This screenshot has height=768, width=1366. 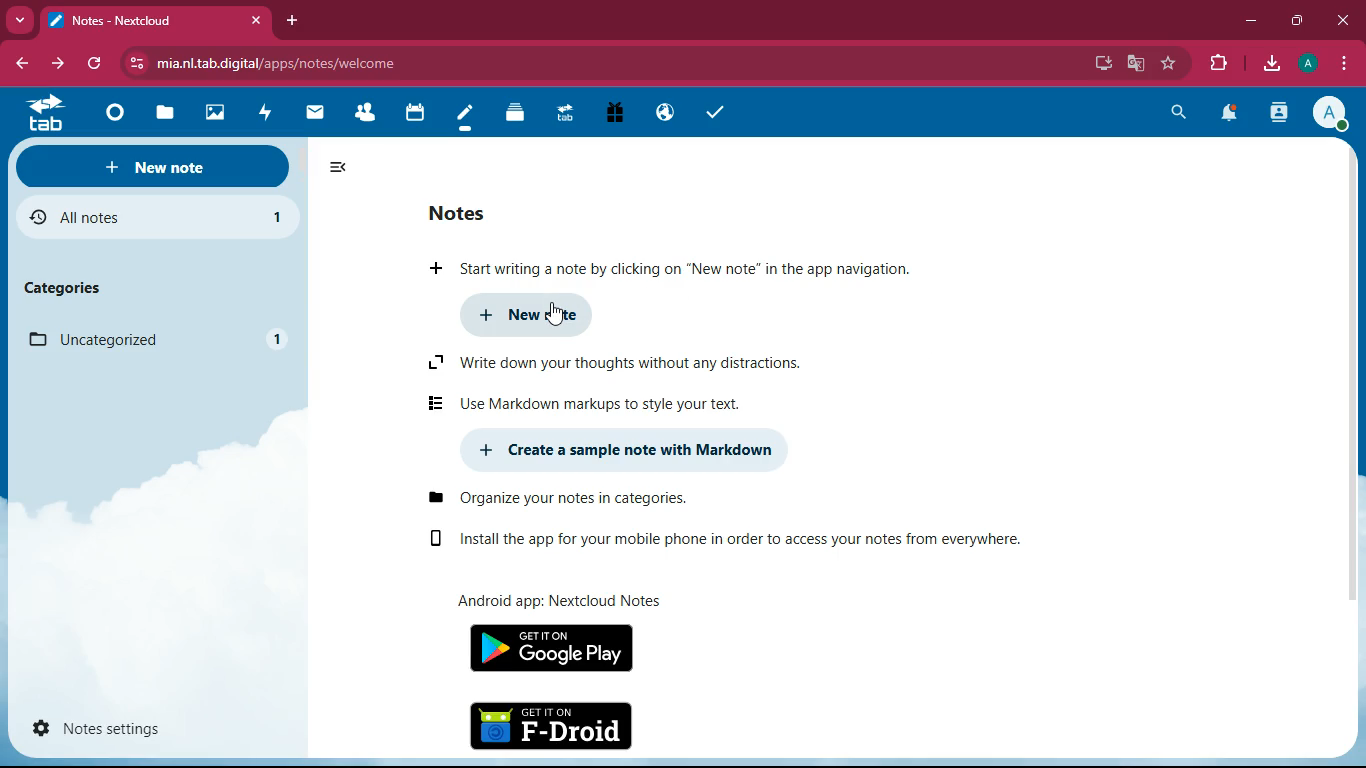 I want to click on notes settings, so click(x=101, y=727).